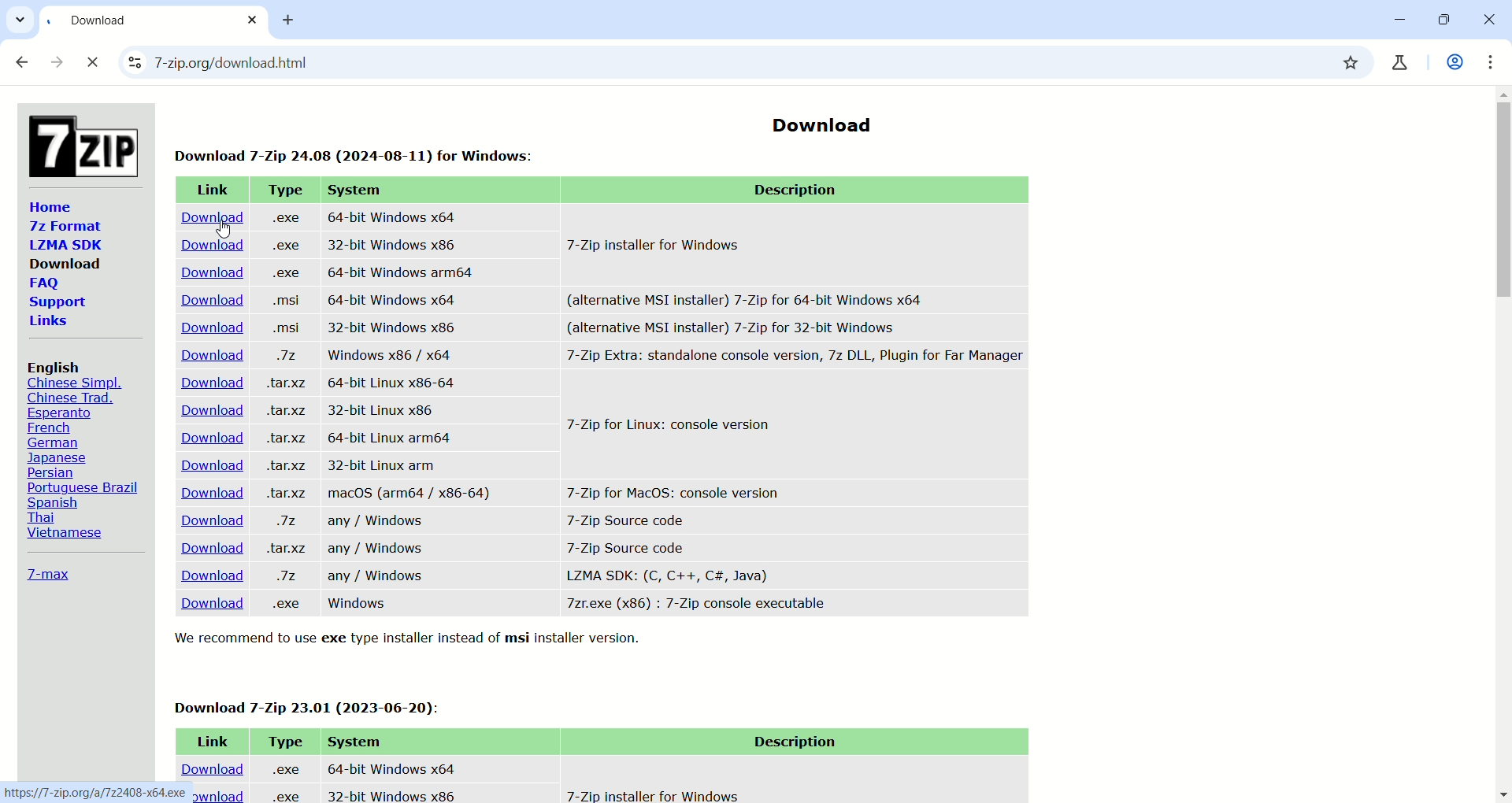 The height and width of the screenshot is (803, 1512). I want to click on msi, so click(284, 302).